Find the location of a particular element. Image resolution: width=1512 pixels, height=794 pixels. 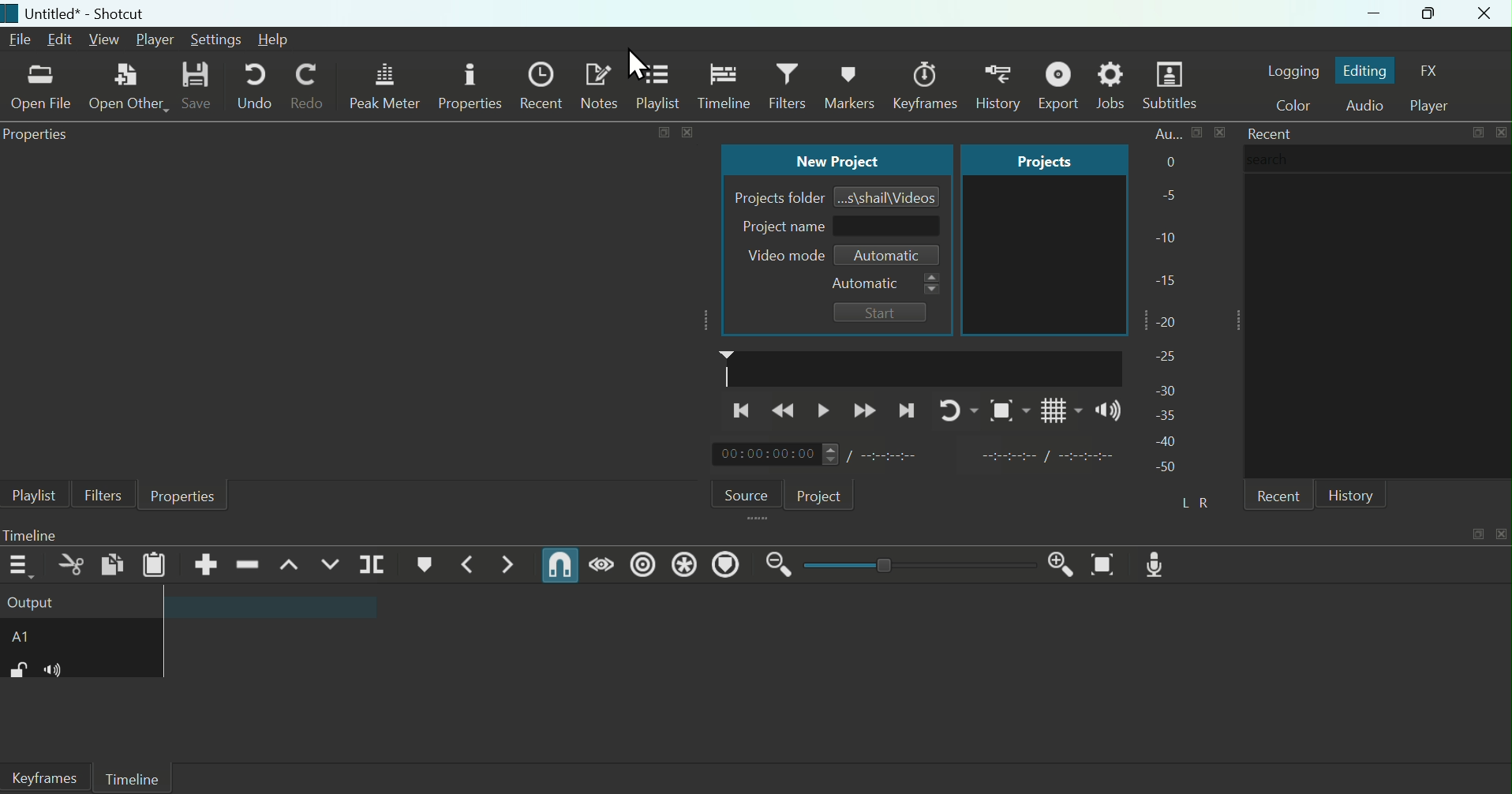

cursor is located at coordinates (642, 63).